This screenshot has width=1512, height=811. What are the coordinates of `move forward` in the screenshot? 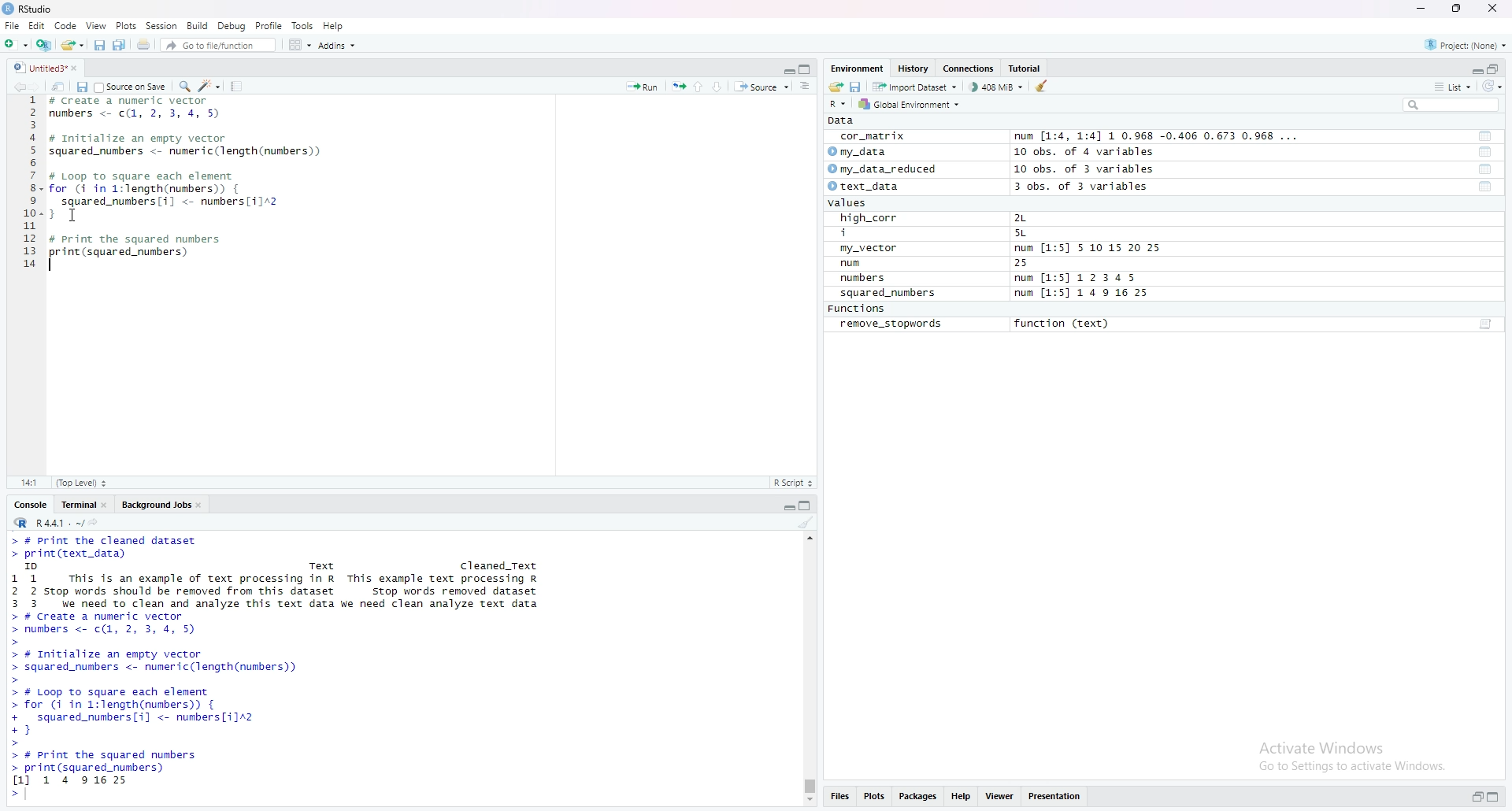 It's located at (39, 85).